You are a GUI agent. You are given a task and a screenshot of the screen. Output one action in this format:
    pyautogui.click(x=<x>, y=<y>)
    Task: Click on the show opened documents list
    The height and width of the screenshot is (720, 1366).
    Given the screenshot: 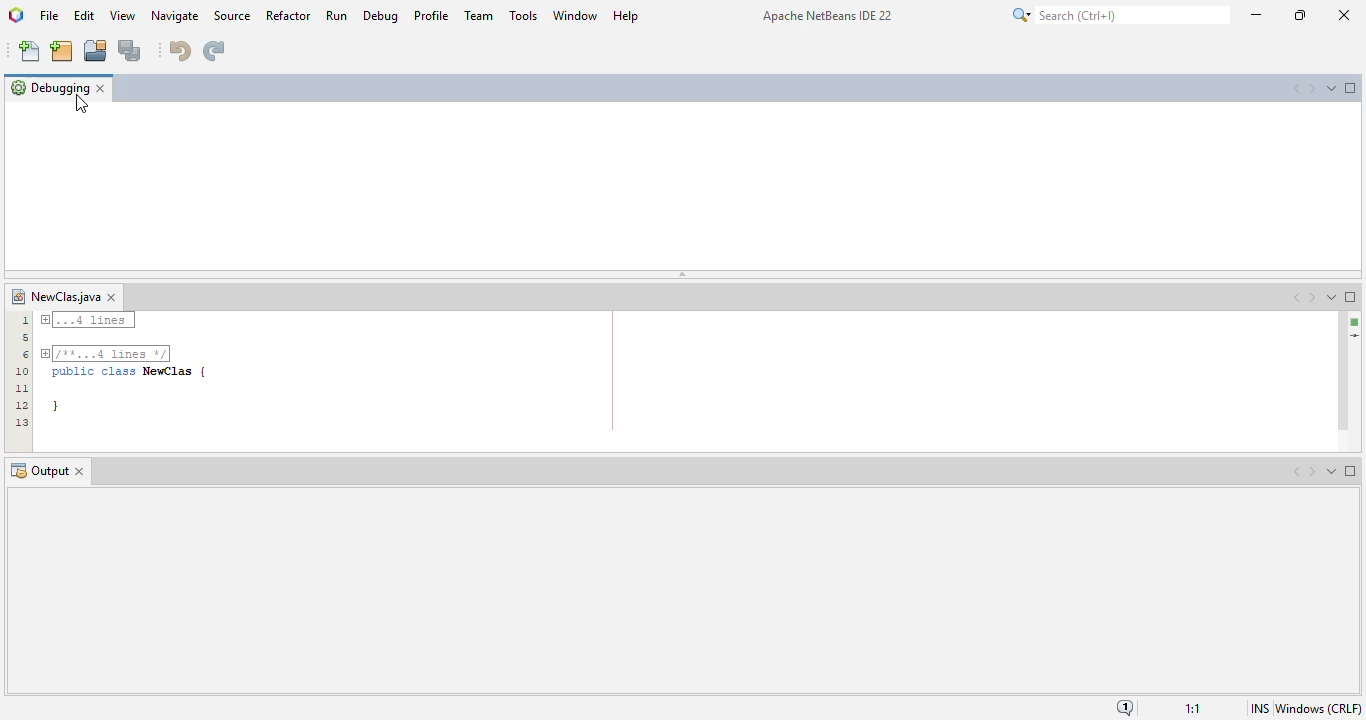 What is the action you would take?
    pyautogui.click(x=1331, y=87)
    